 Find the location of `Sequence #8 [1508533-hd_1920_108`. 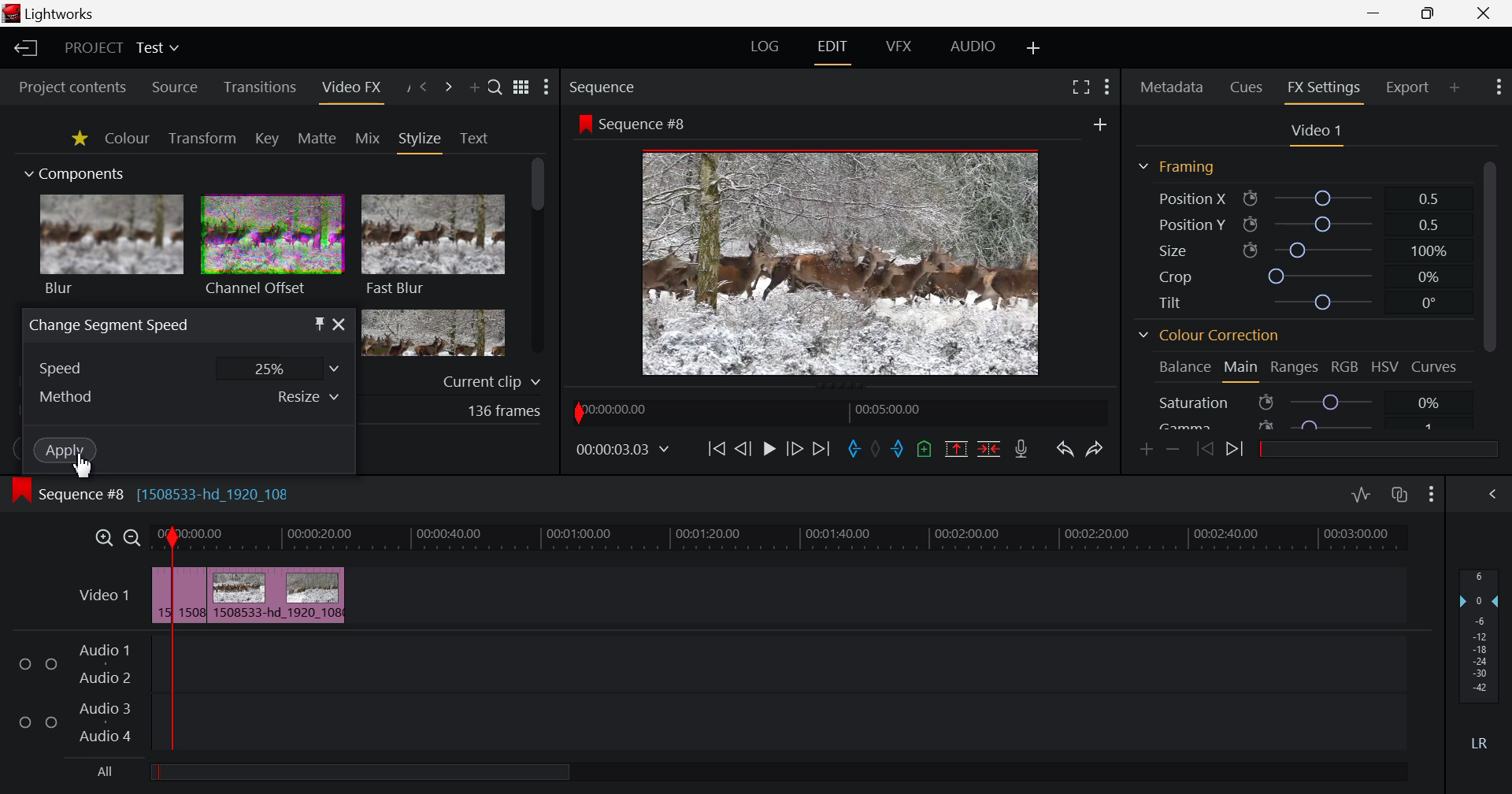

Sequence #8 [1508533-hd_1920_108 is located at coordinates (179, 492).